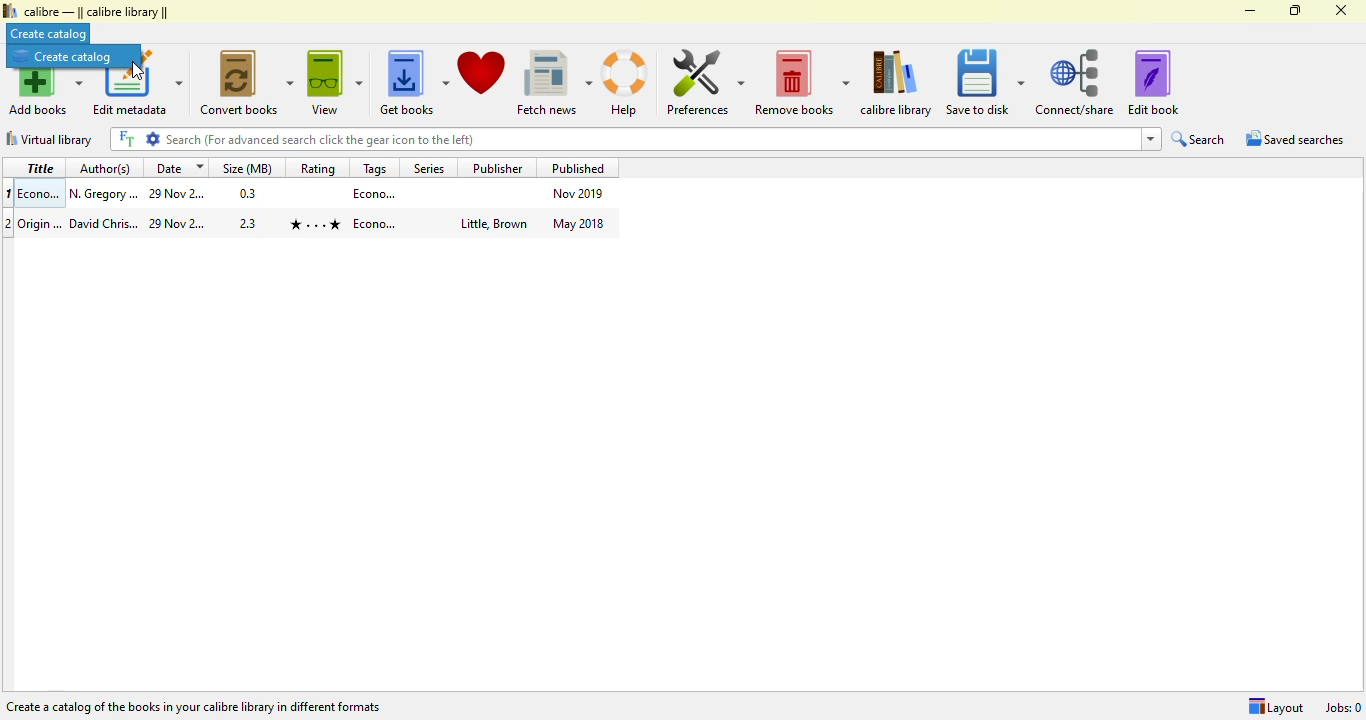  I want to click on Jobs: 0, so click(1339, 706).